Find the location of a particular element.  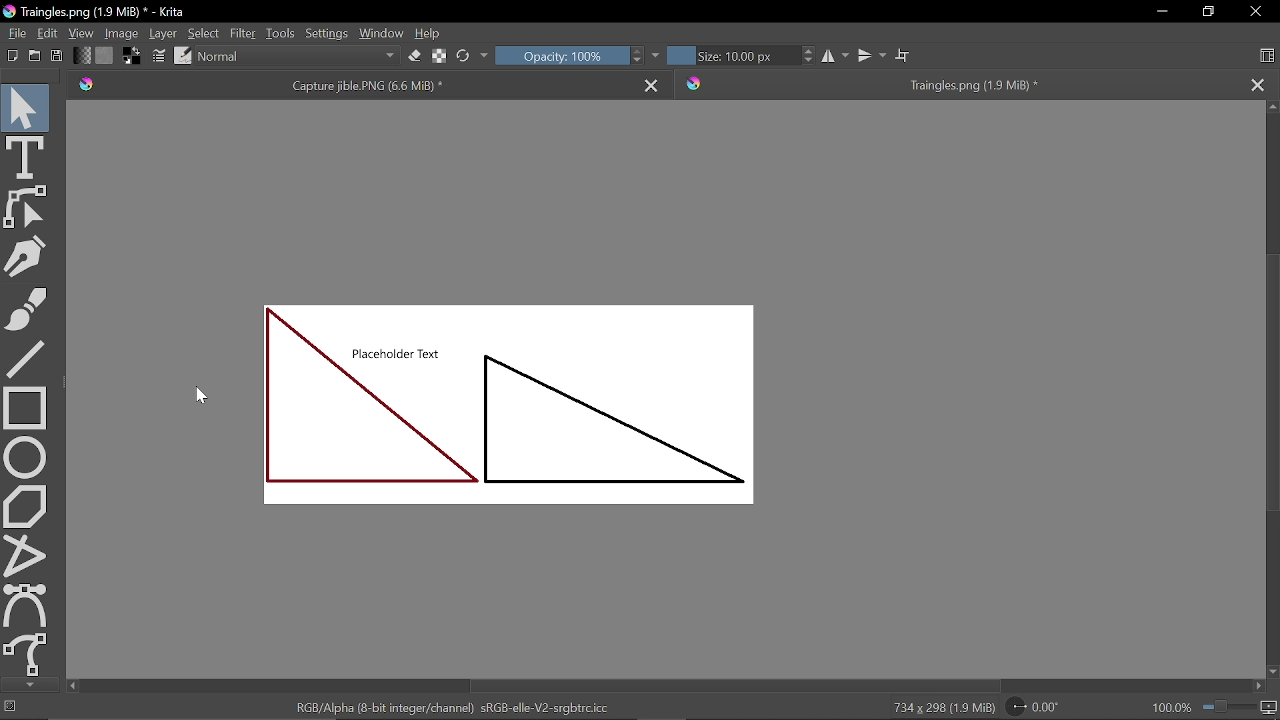

Close current tab is located at coordinates (654, 83).